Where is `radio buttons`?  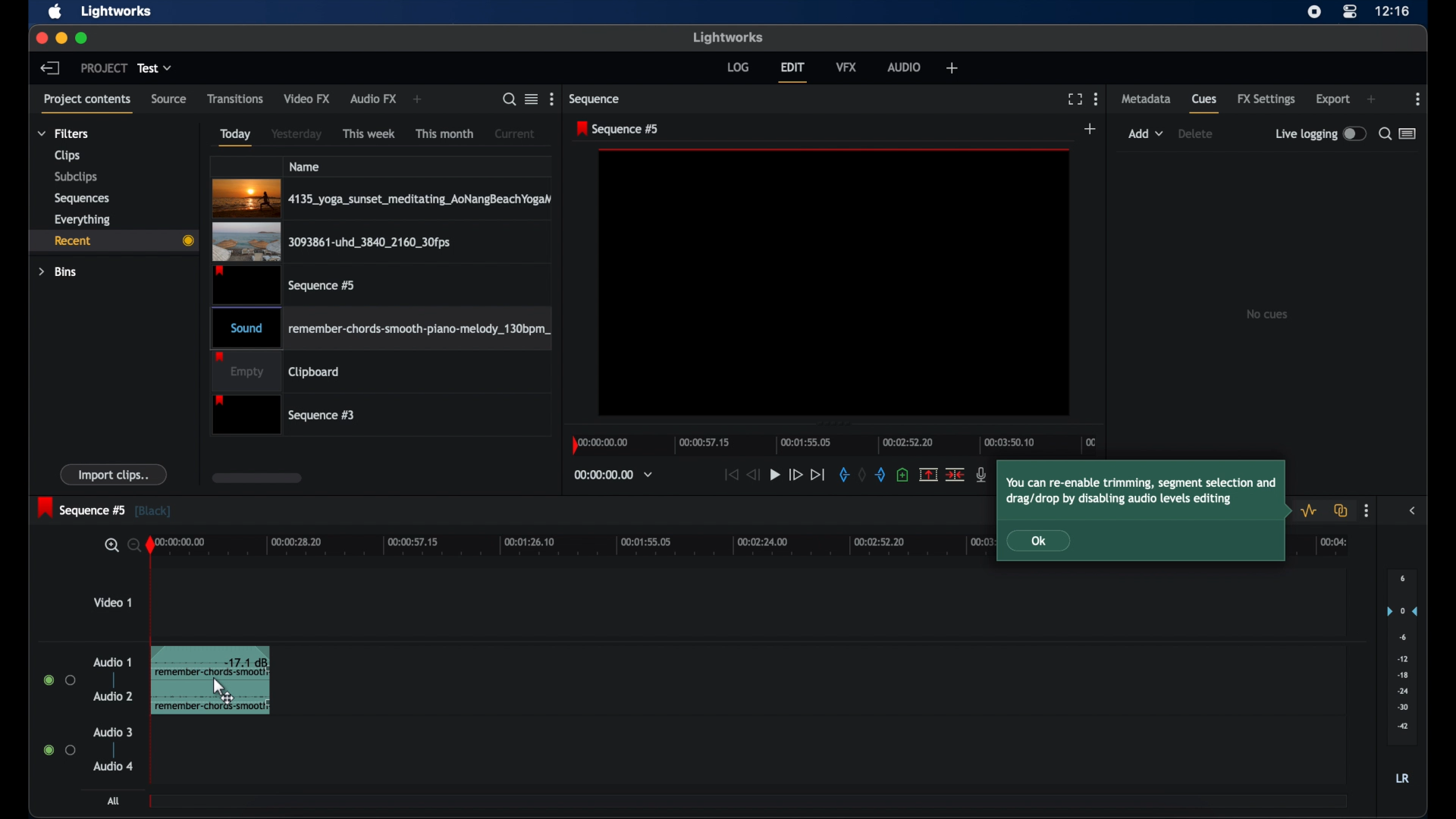
radio buttons is located at coordinates (60, 680).